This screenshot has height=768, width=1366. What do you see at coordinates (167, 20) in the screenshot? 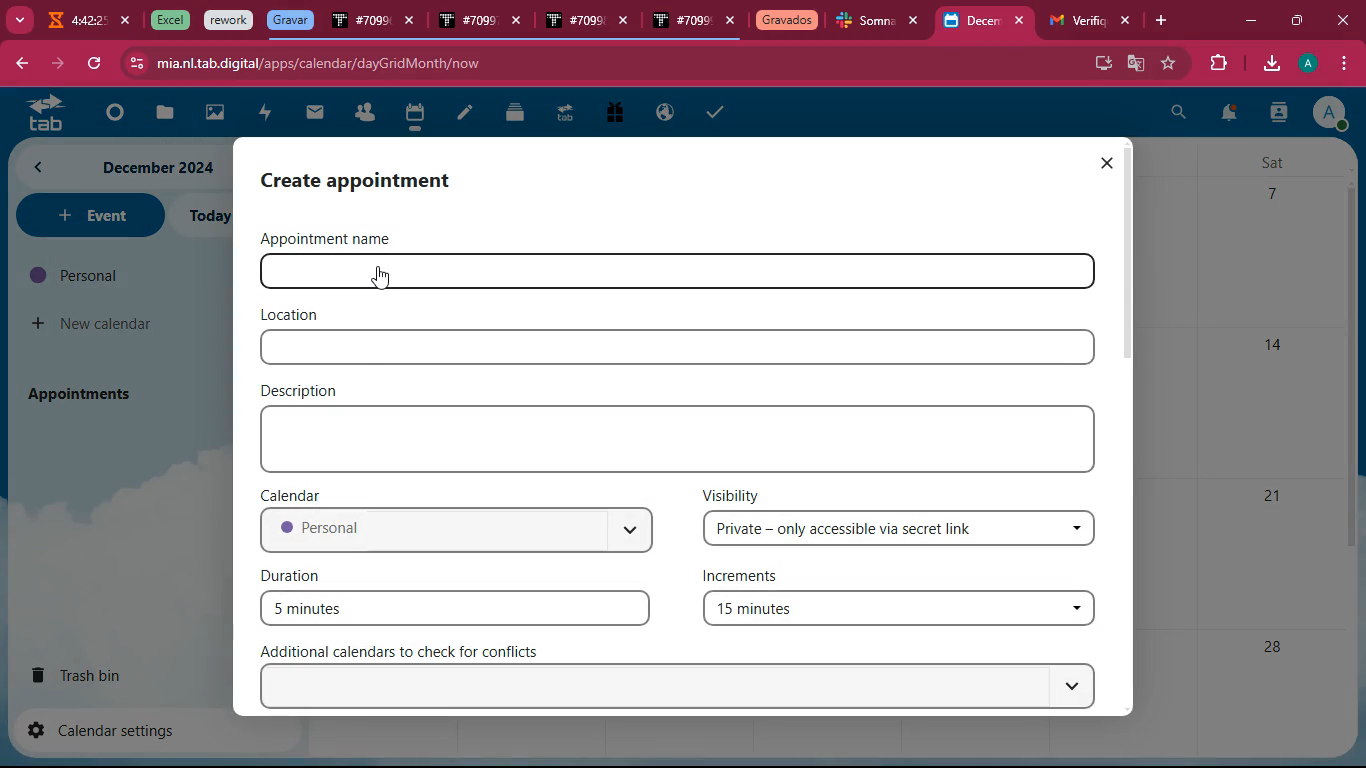
I see `tab` at bounding box center [167, 20].